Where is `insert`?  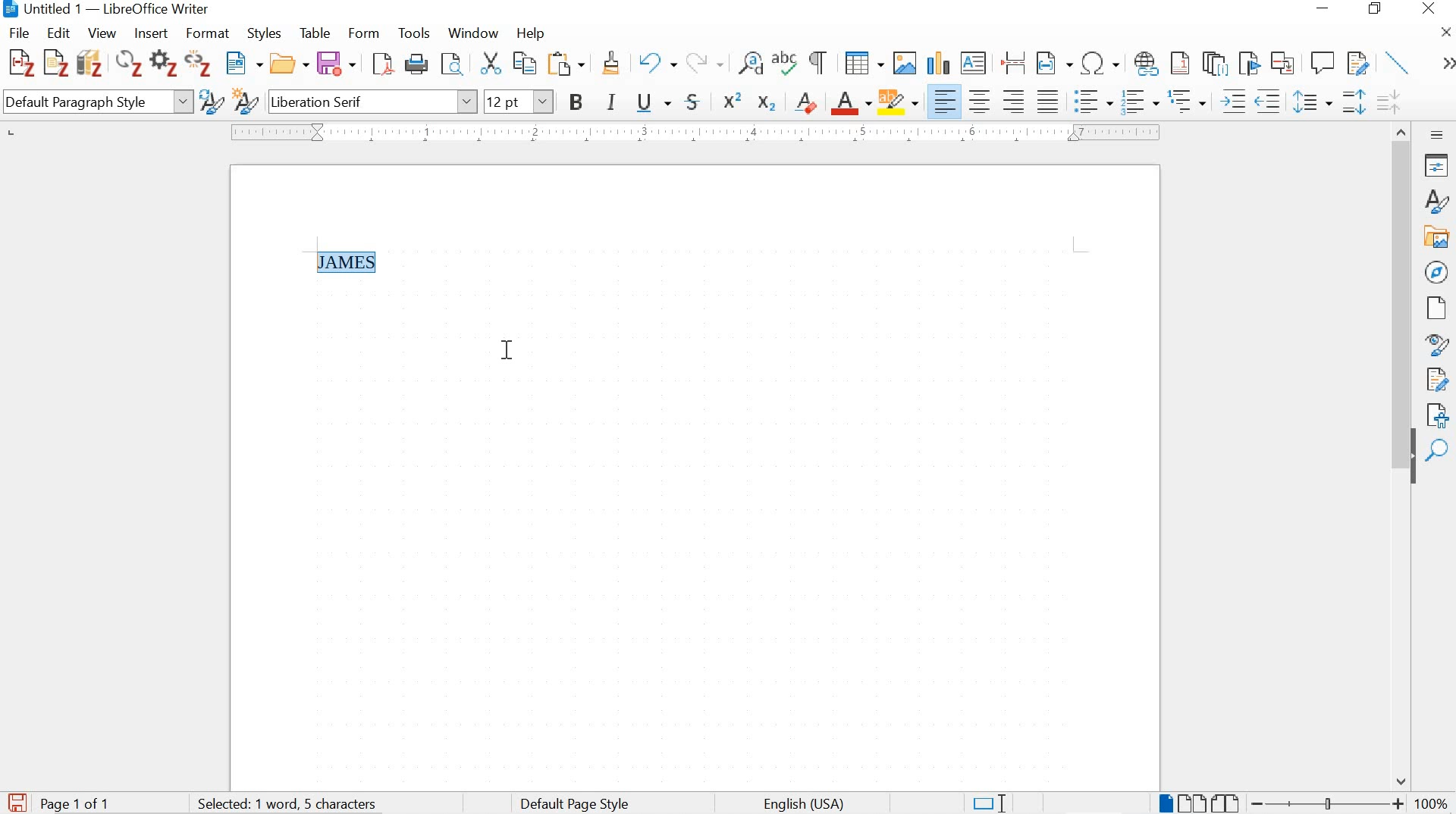
insert is located at coordinates (149, 34).